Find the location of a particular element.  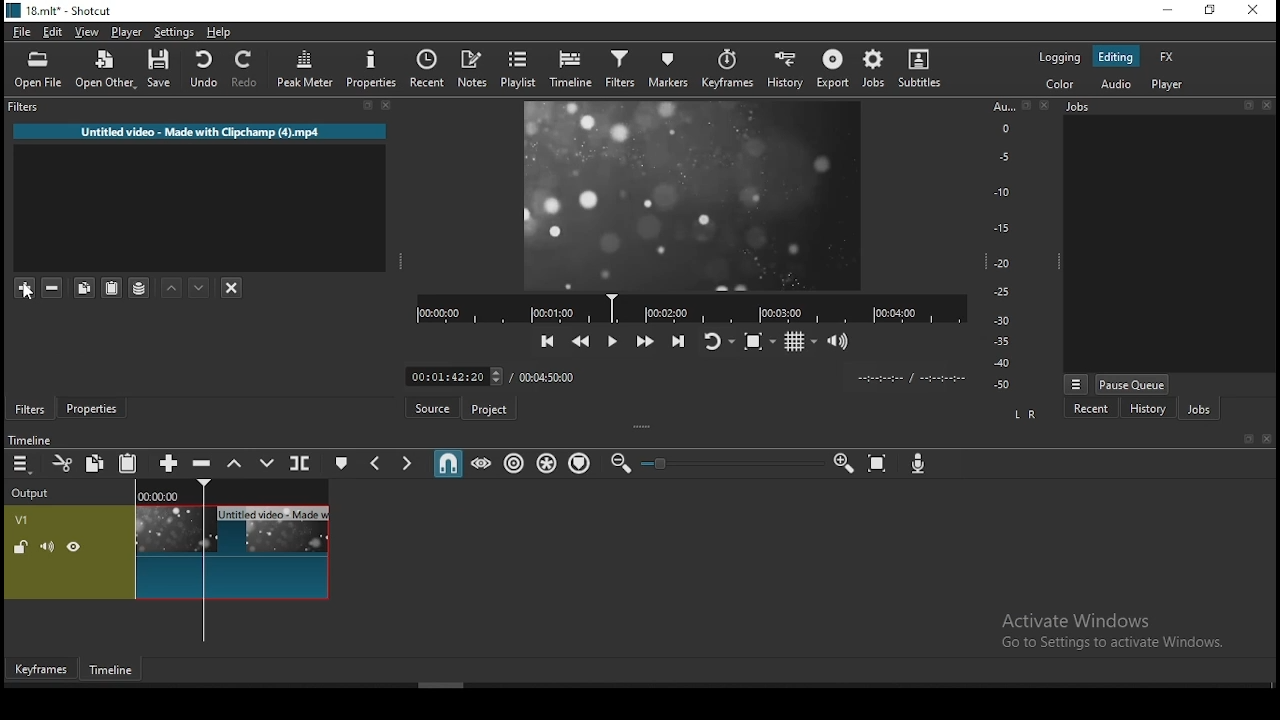

undo is located at coordinates (203, 69).